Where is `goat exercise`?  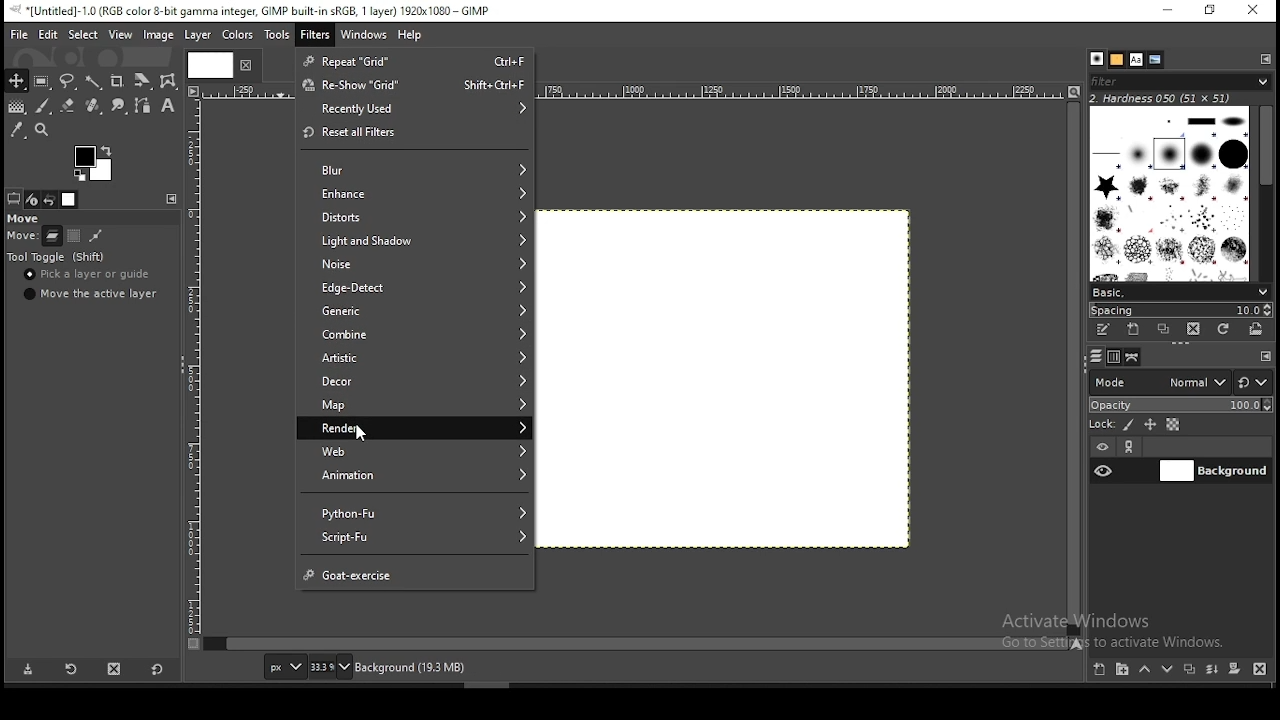
goat exercise is located at coordinates (418, 574).